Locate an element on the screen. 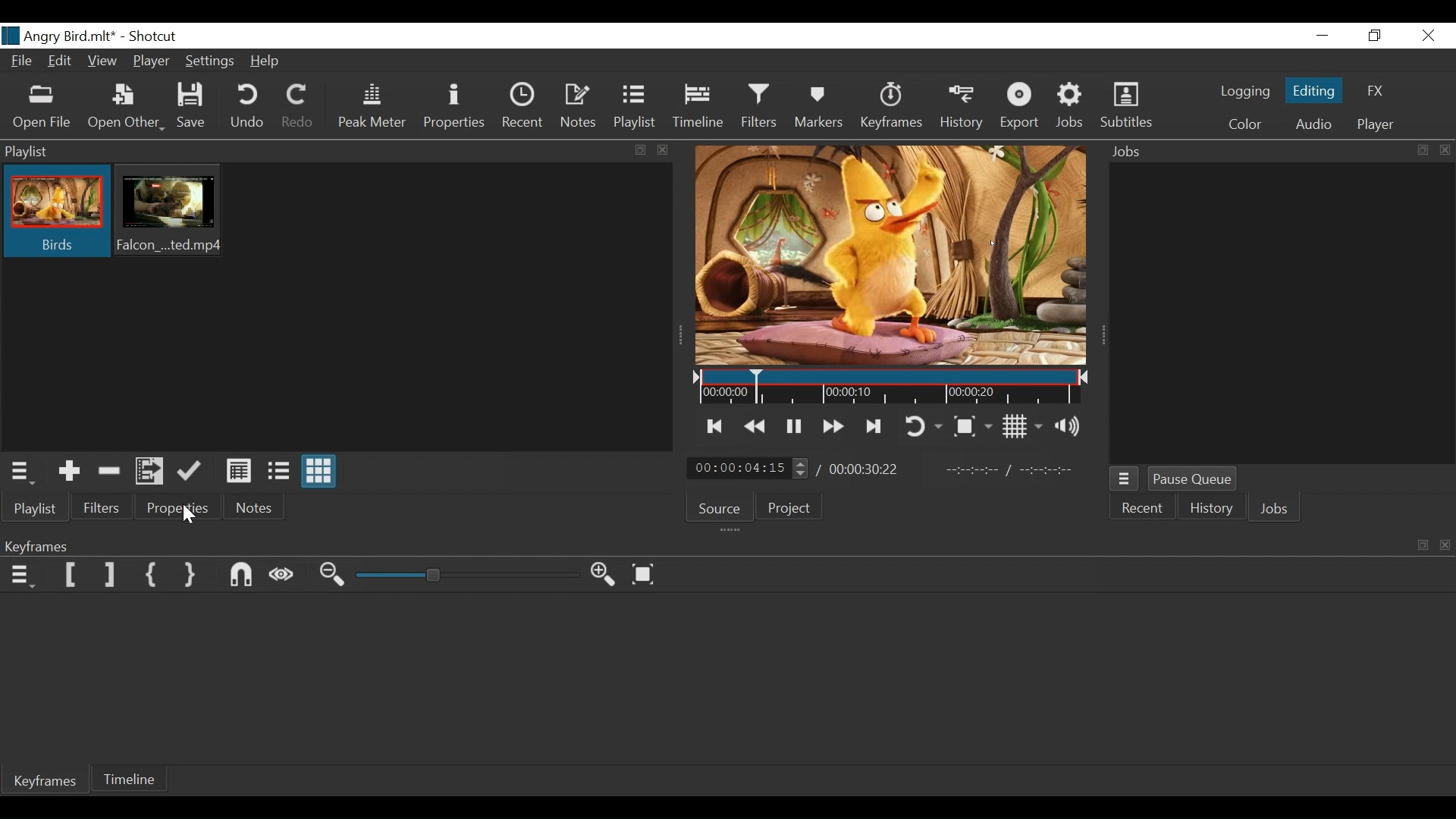  Player is located at coordinates (152, 61).